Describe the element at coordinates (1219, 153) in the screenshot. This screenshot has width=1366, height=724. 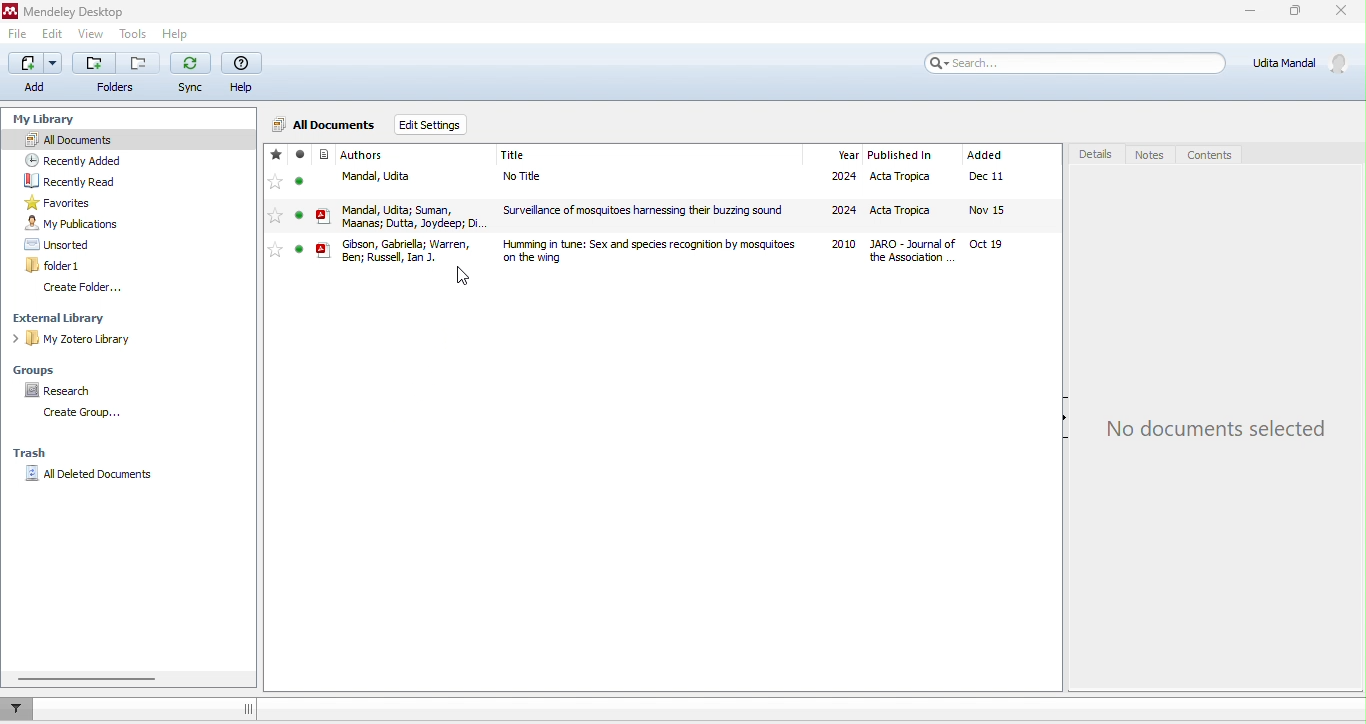
I see `contents` at that location.